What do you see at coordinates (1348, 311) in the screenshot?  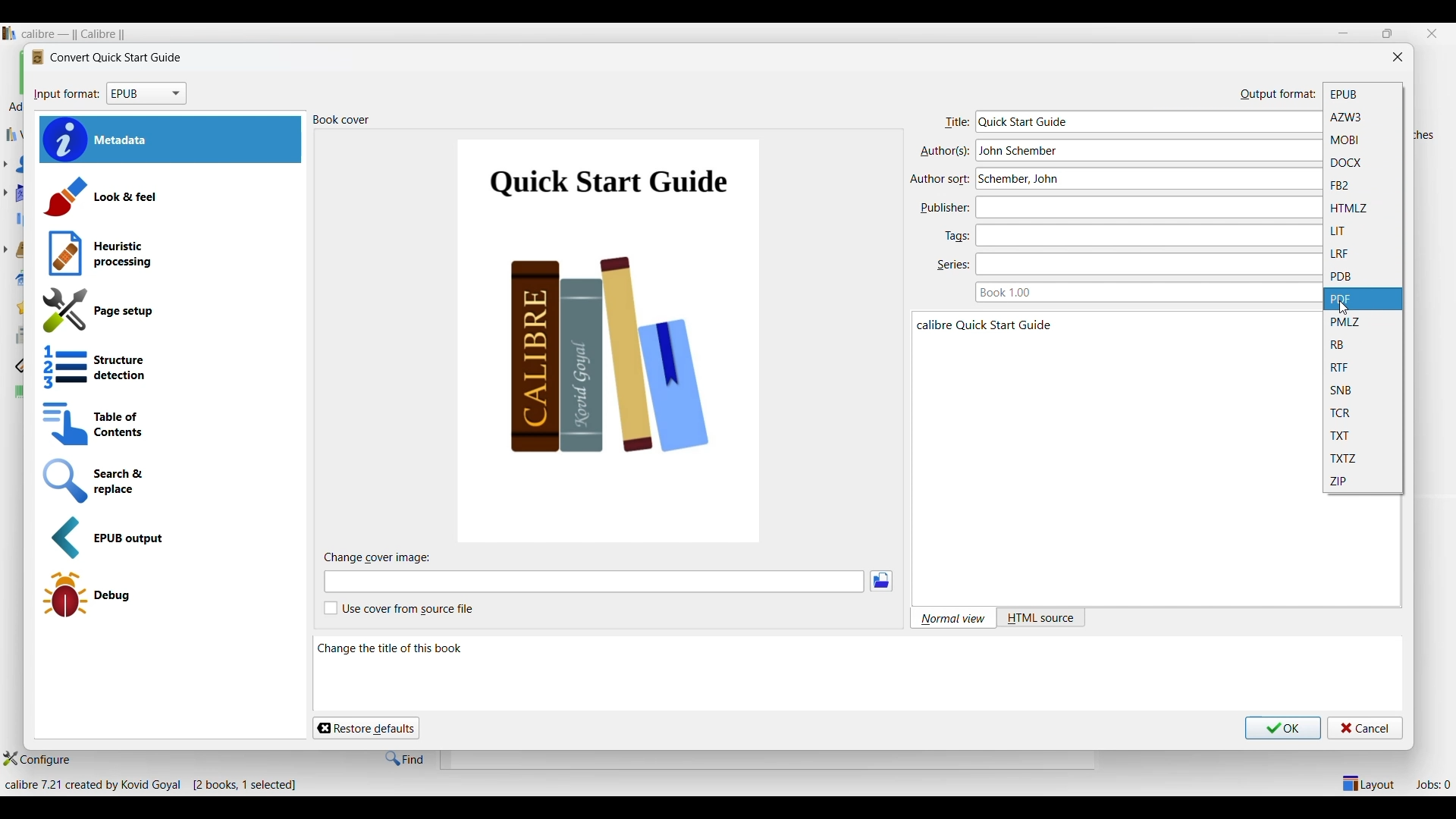 I see `cursor` at bounding box center [1348, 311].